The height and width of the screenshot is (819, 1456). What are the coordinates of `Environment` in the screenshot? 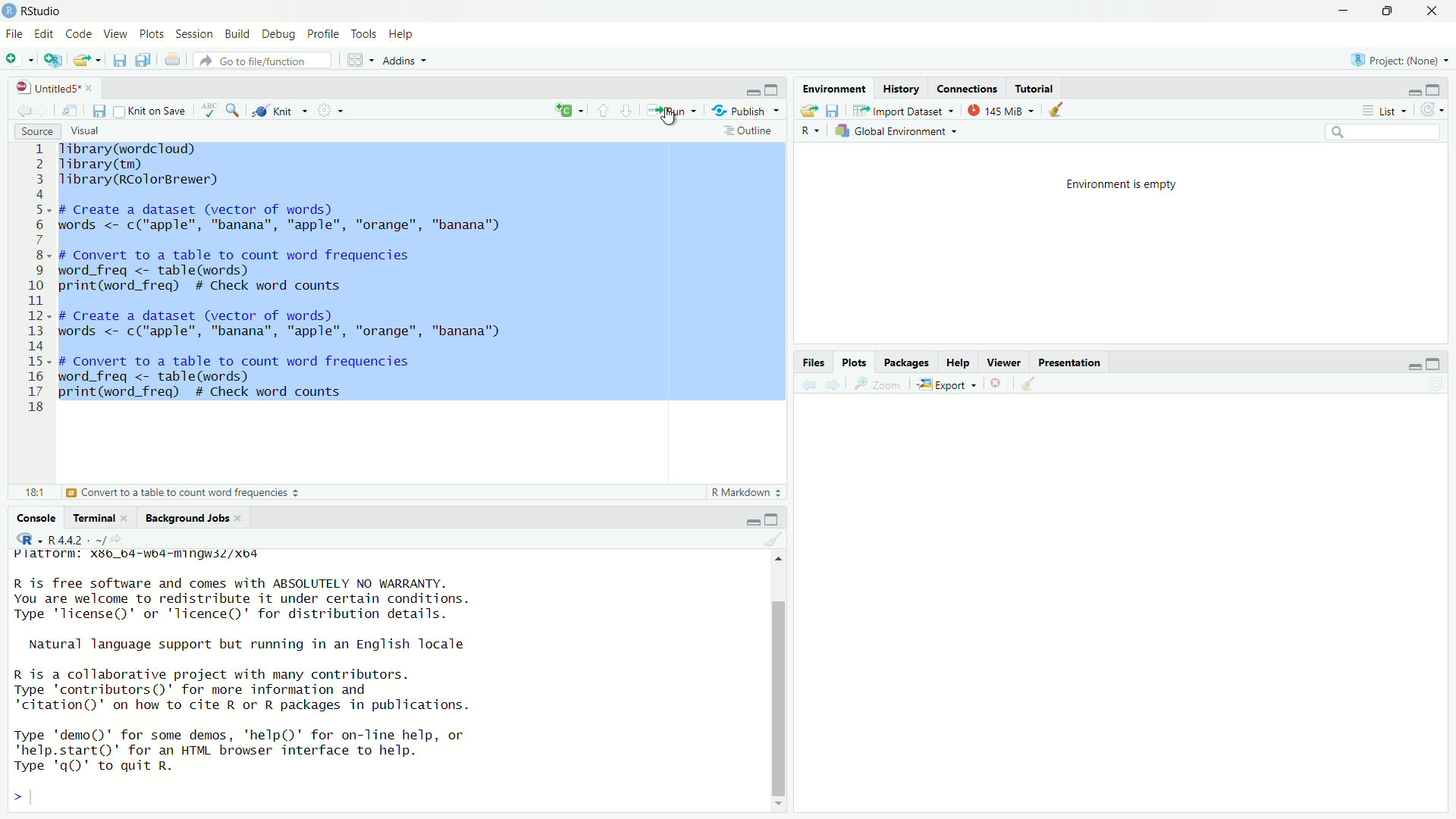 It's located at (833, 89).